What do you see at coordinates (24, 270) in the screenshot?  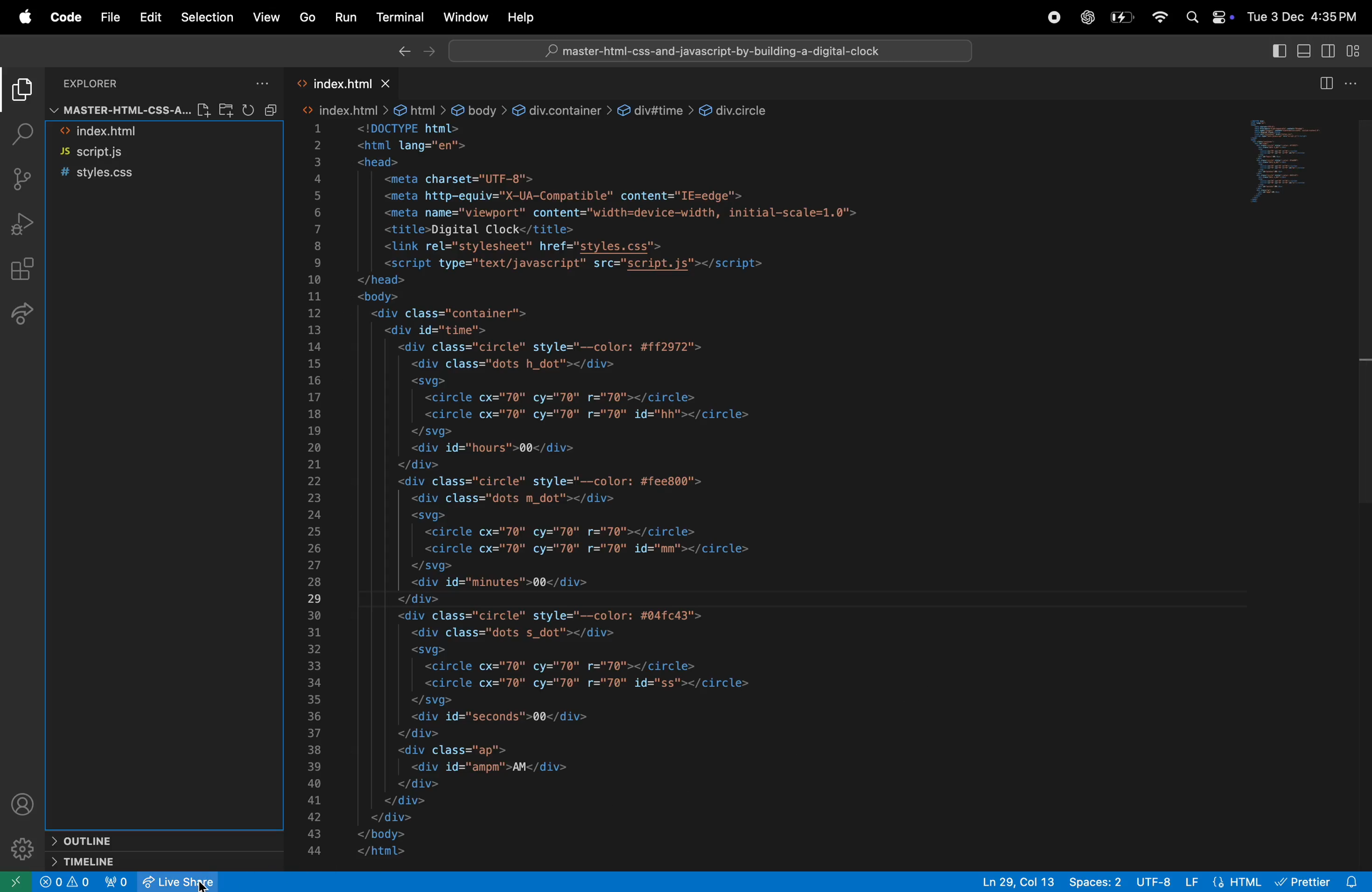 I see `extensions` at bounding box center [24, 270].